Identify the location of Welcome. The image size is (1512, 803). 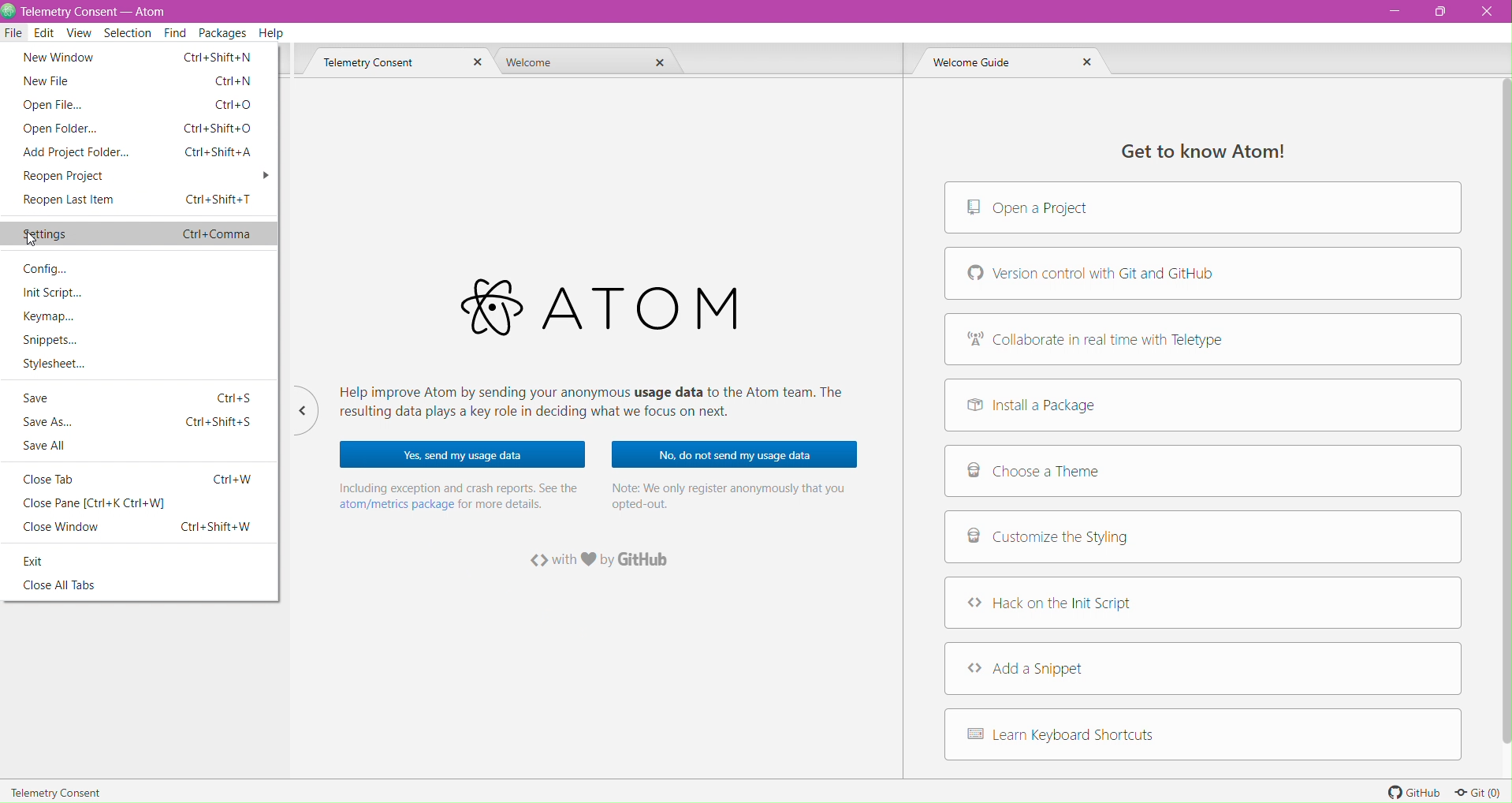
(535, 62).